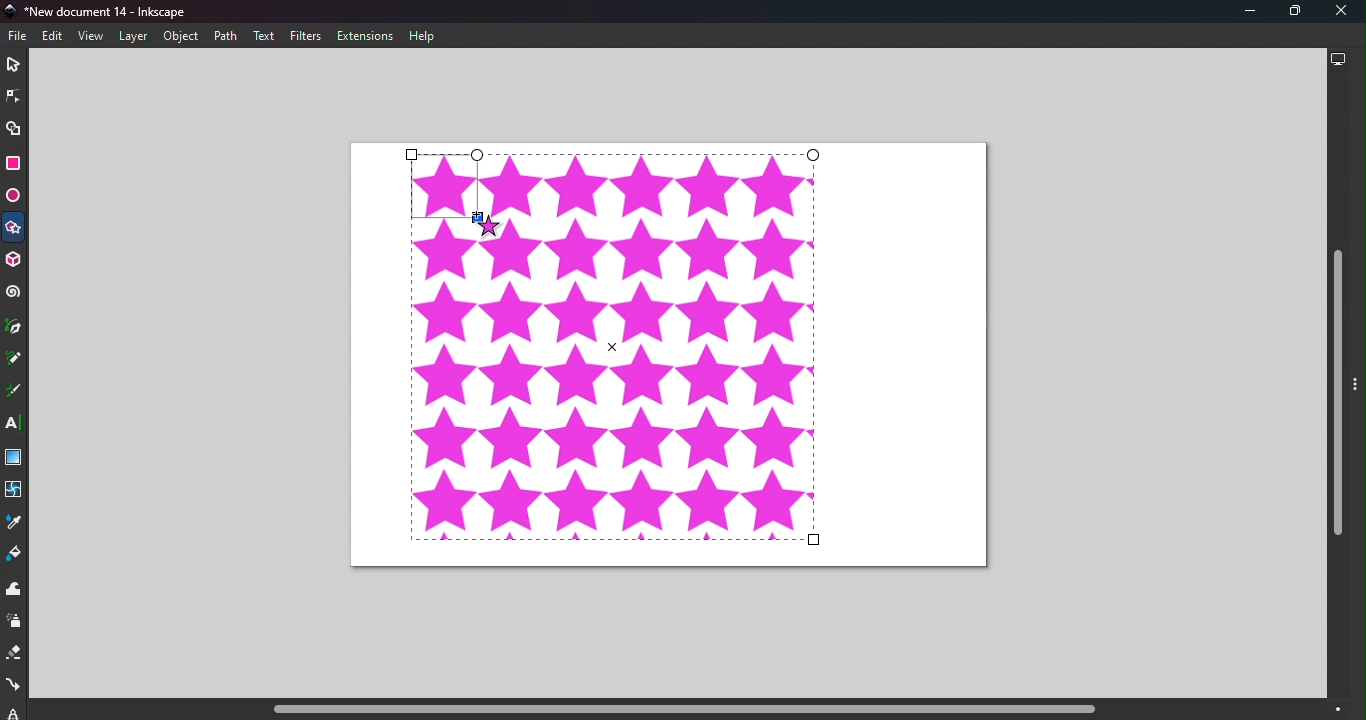 The height and width of the screenshot is (720, 1366). Describe the element at coordinates (14, 392) in the screenshot. I see `Calligraphy tool` at that location.